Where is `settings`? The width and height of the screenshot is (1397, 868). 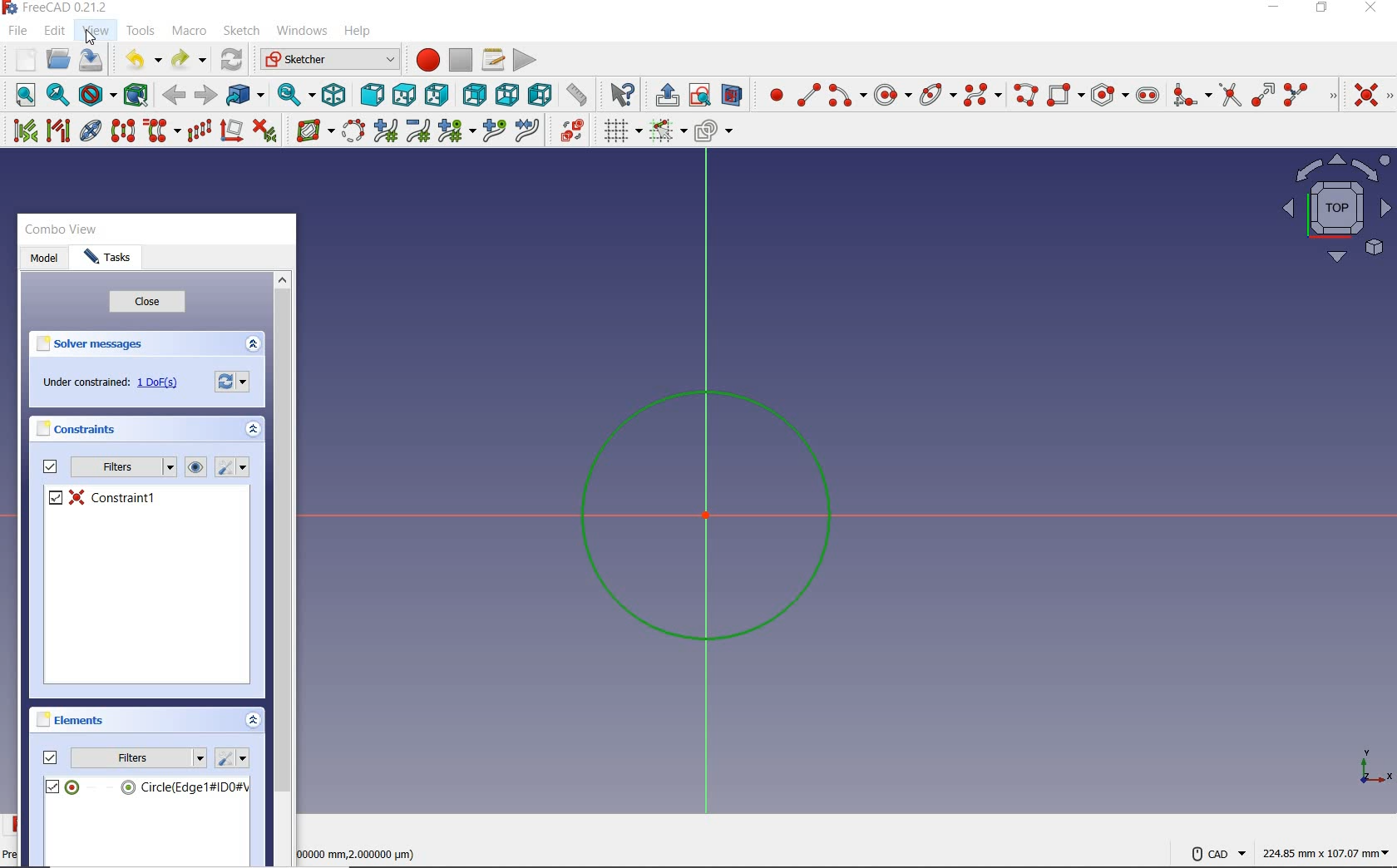 settings is located at coordinates (236, 468).